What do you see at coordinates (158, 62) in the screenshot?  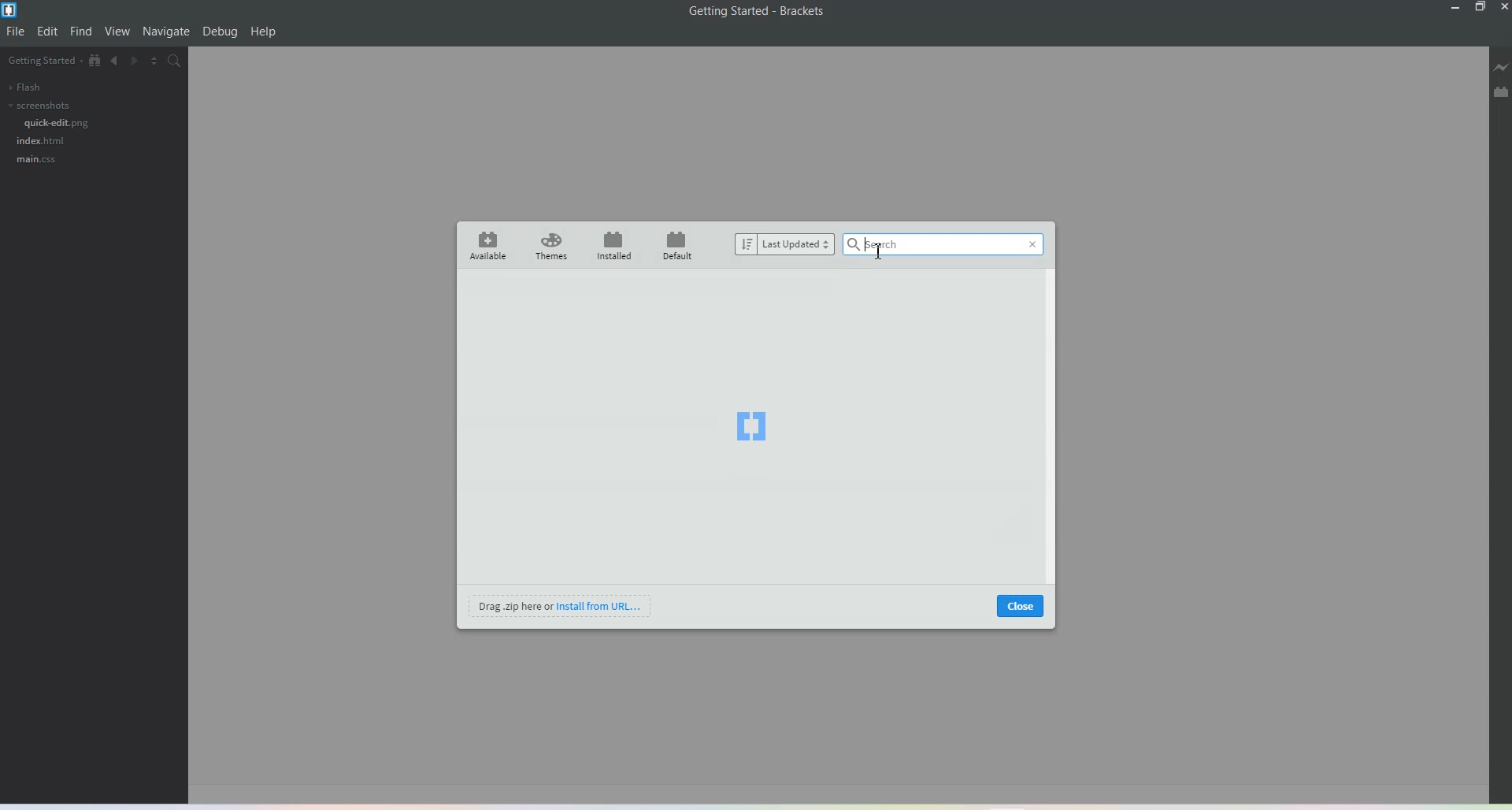 I see `Split the editor vertically or Horizontally` at bounding box center [158, 62].